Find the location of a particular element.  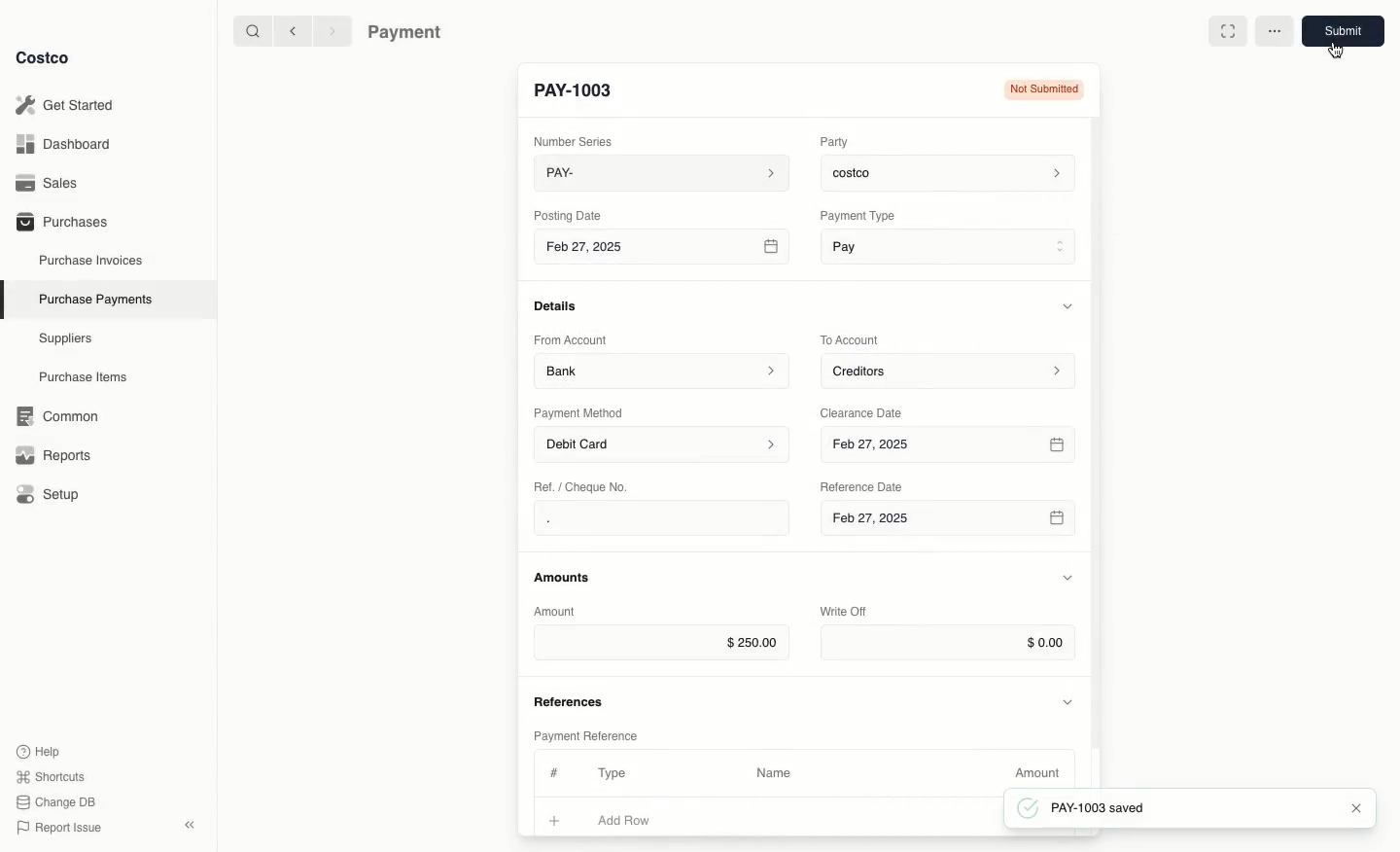

Forward is located at coordinates (331, 30).